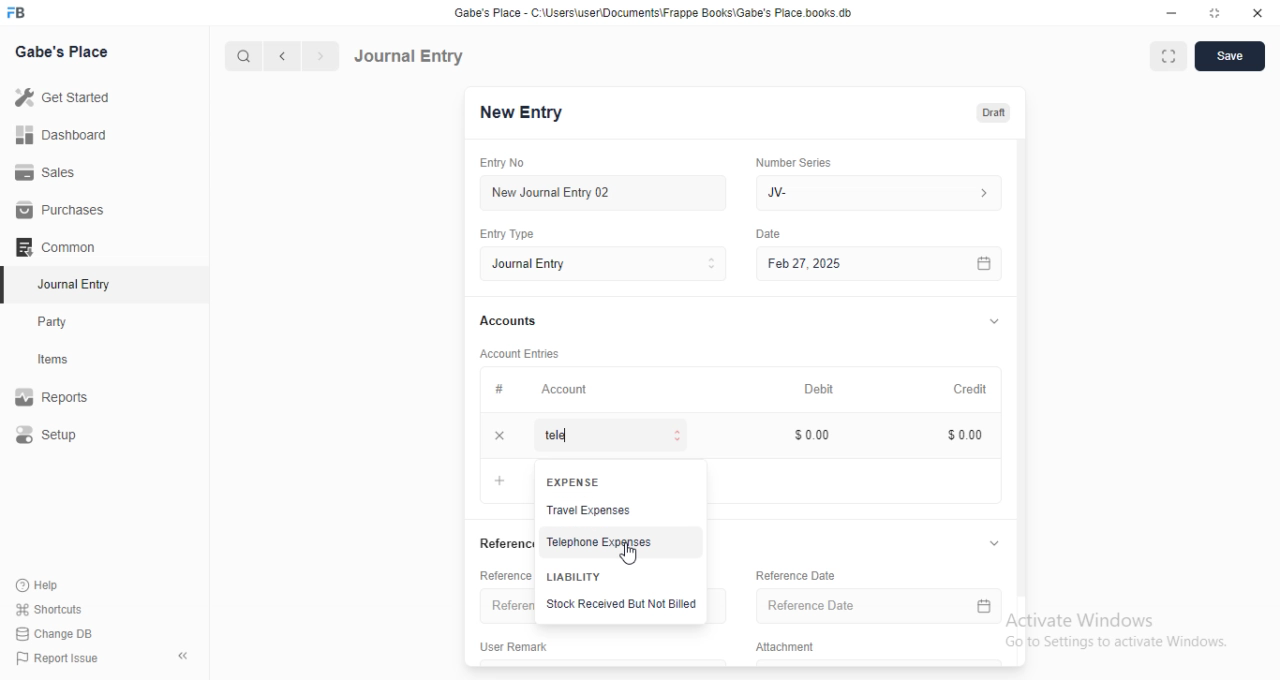  What do you see at coordinates (63, 51) in the screenshot?
I see `Gabe's Place` at bounding box center [63, 51].